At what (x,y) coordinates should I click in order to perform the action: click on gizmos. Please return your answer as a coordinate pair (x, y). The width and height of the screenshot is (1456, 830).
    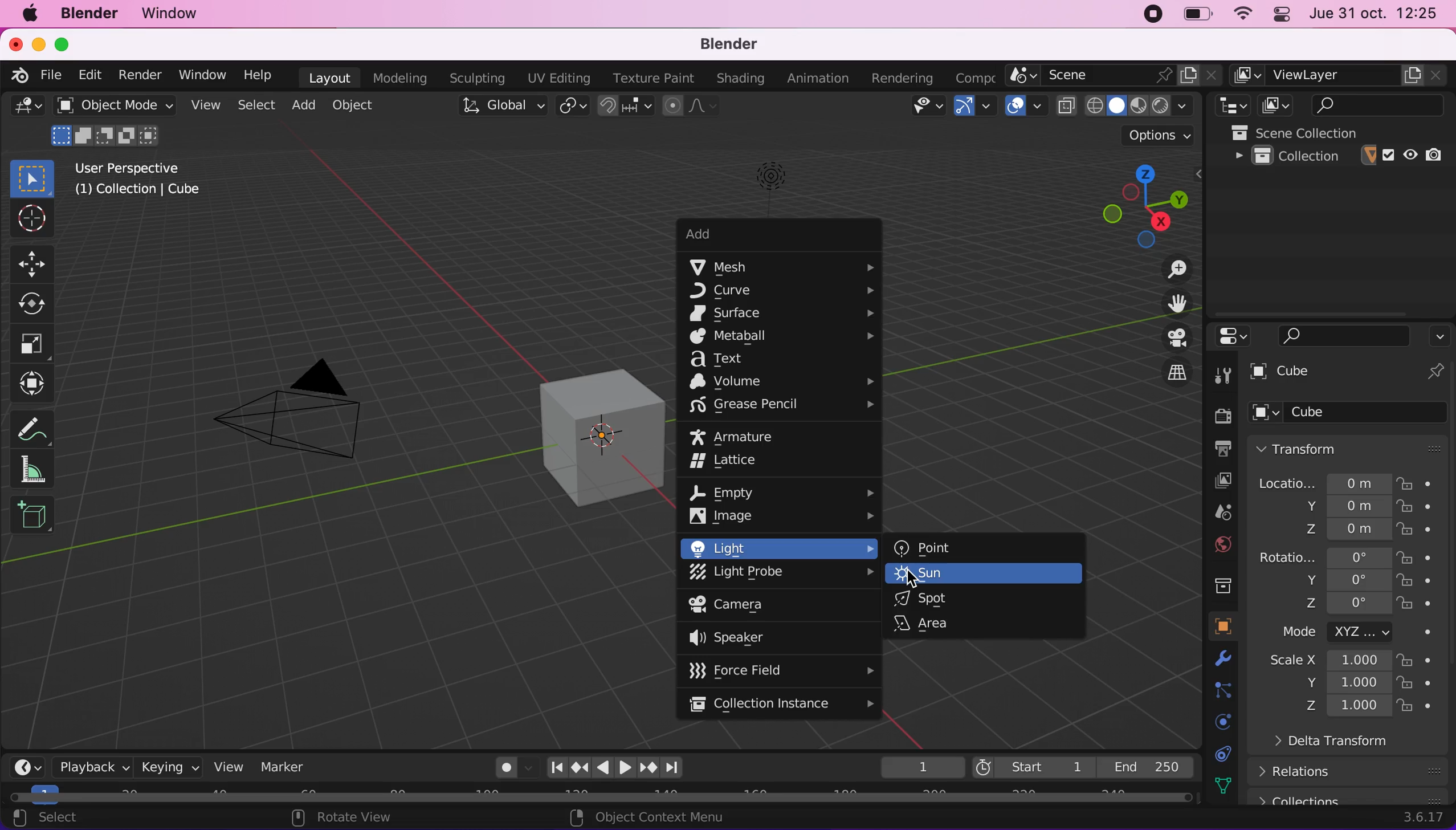
    Looking at the image, I should click on (974, 106).